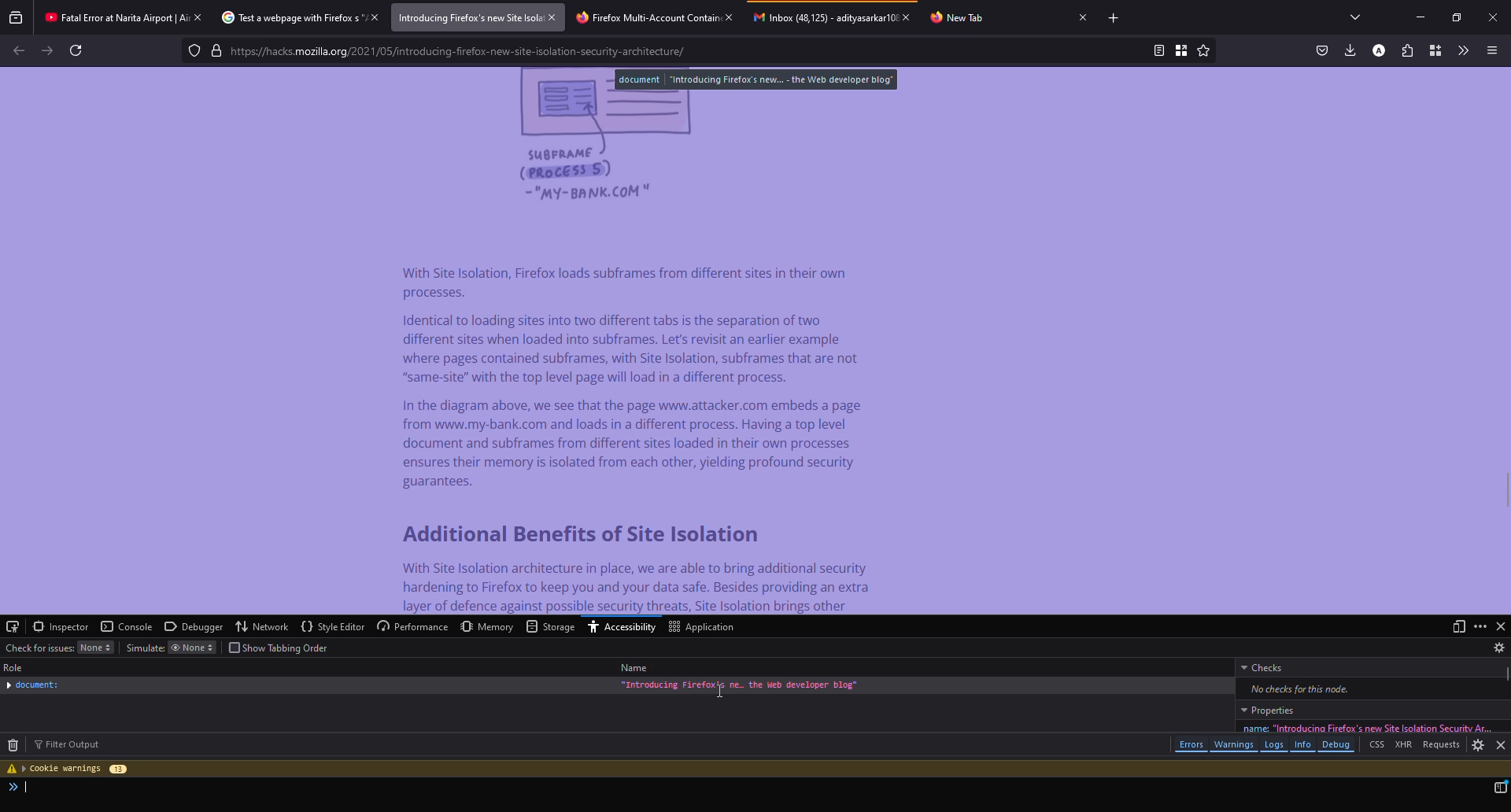  Describe the element at coordinates (1180, 50) in the screenshot. I see `bookmark` at that location.